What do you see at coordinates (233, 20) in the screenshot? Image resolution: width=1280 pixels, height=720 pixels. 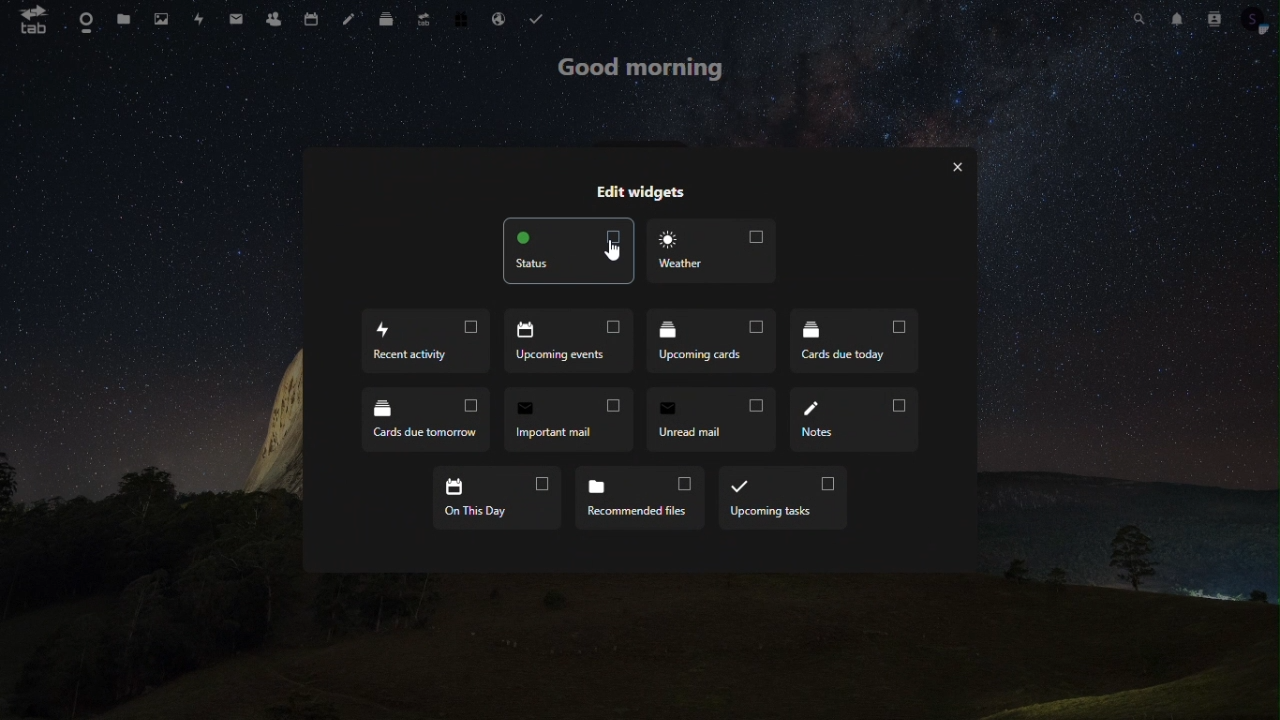 I see `mail` at bounding box center [233, 20].